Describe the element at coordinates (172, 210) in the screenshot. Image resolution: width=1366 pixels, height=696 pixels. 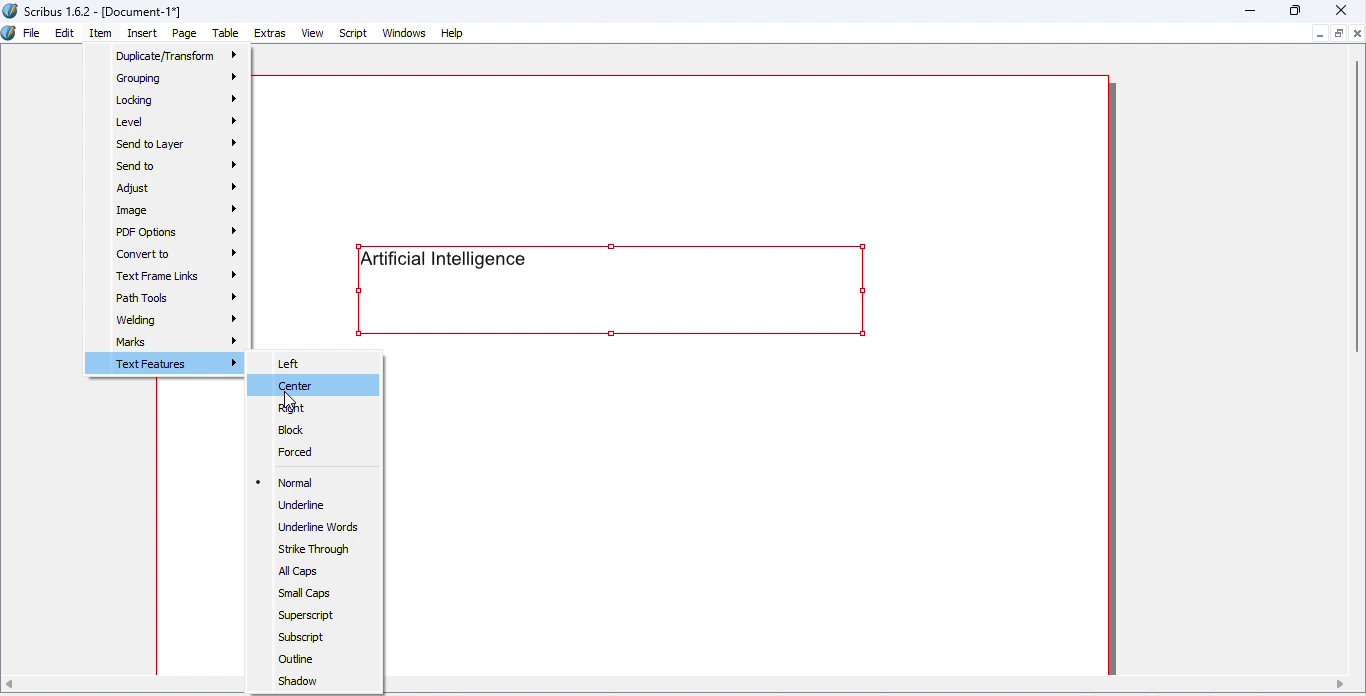
I see `Image` at that location.